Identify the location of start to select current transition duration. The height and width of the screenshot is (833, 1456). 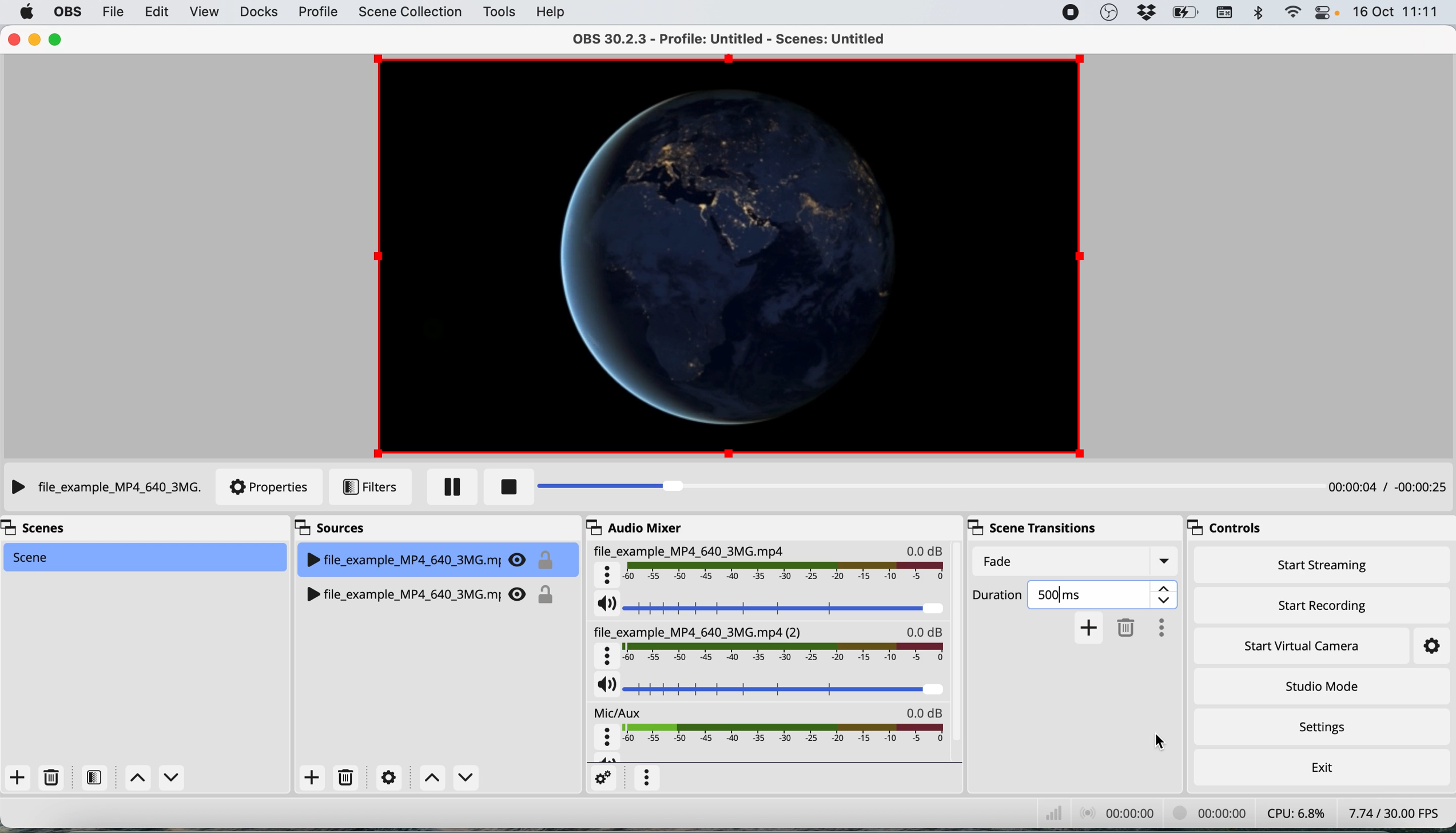
(998, 597).